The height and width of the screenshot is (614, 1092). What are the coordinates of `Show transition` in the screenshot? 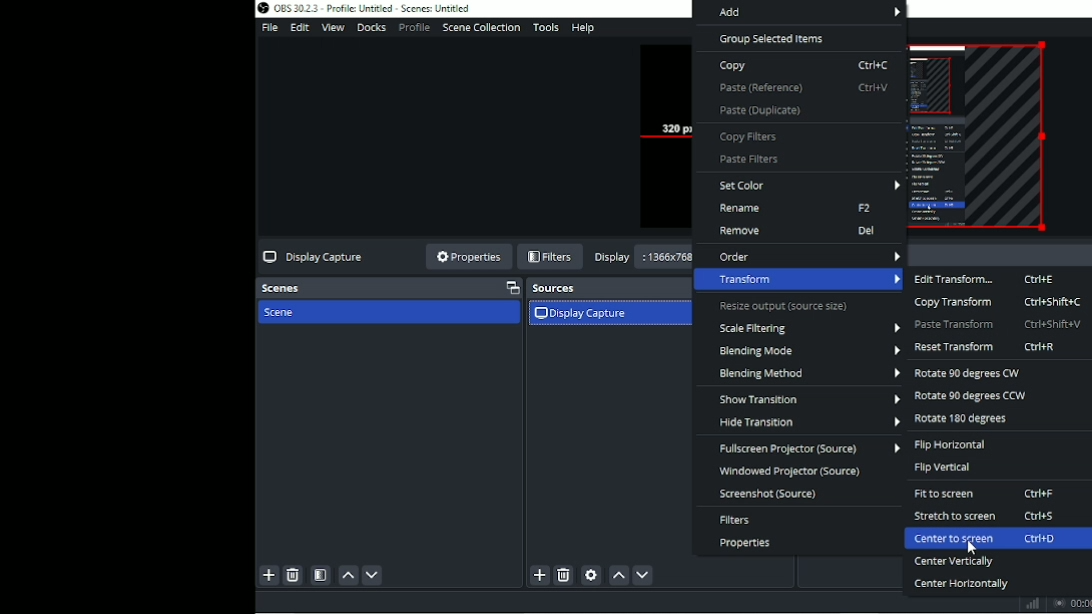 It's located at (807, 400).